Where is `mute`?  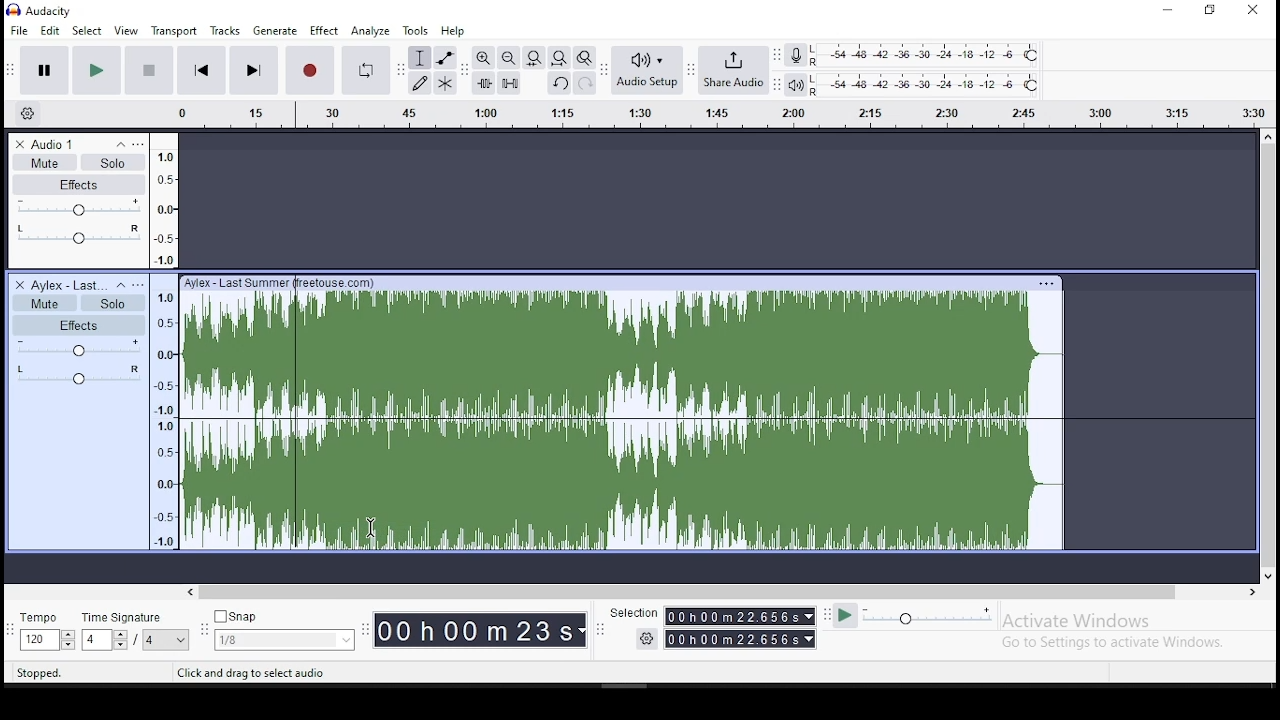 mute is located at coordinates (44, 162).